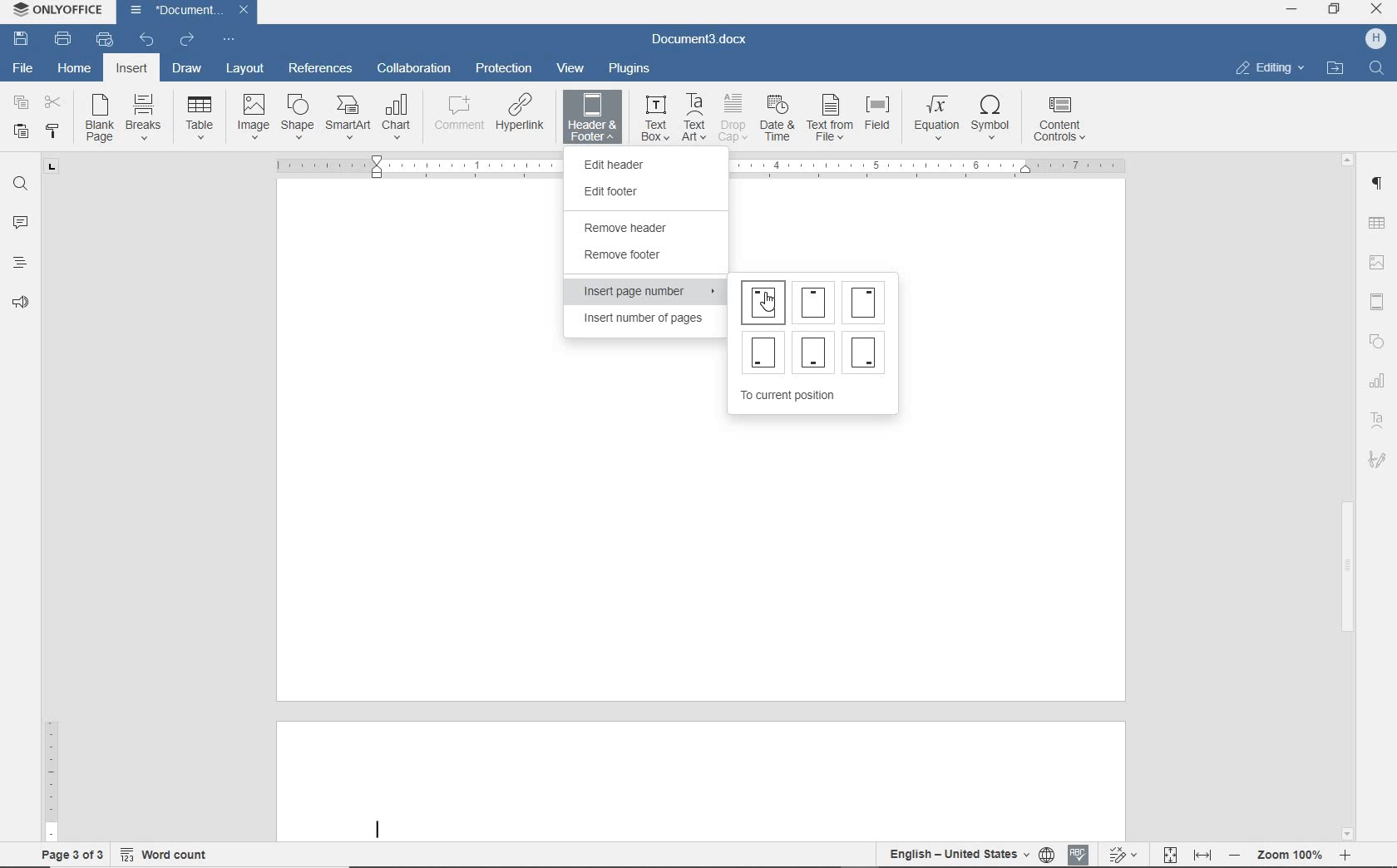  Describe the element at coordinates (734, 118) in the screenshot. I see `DROP CAP` at that location.